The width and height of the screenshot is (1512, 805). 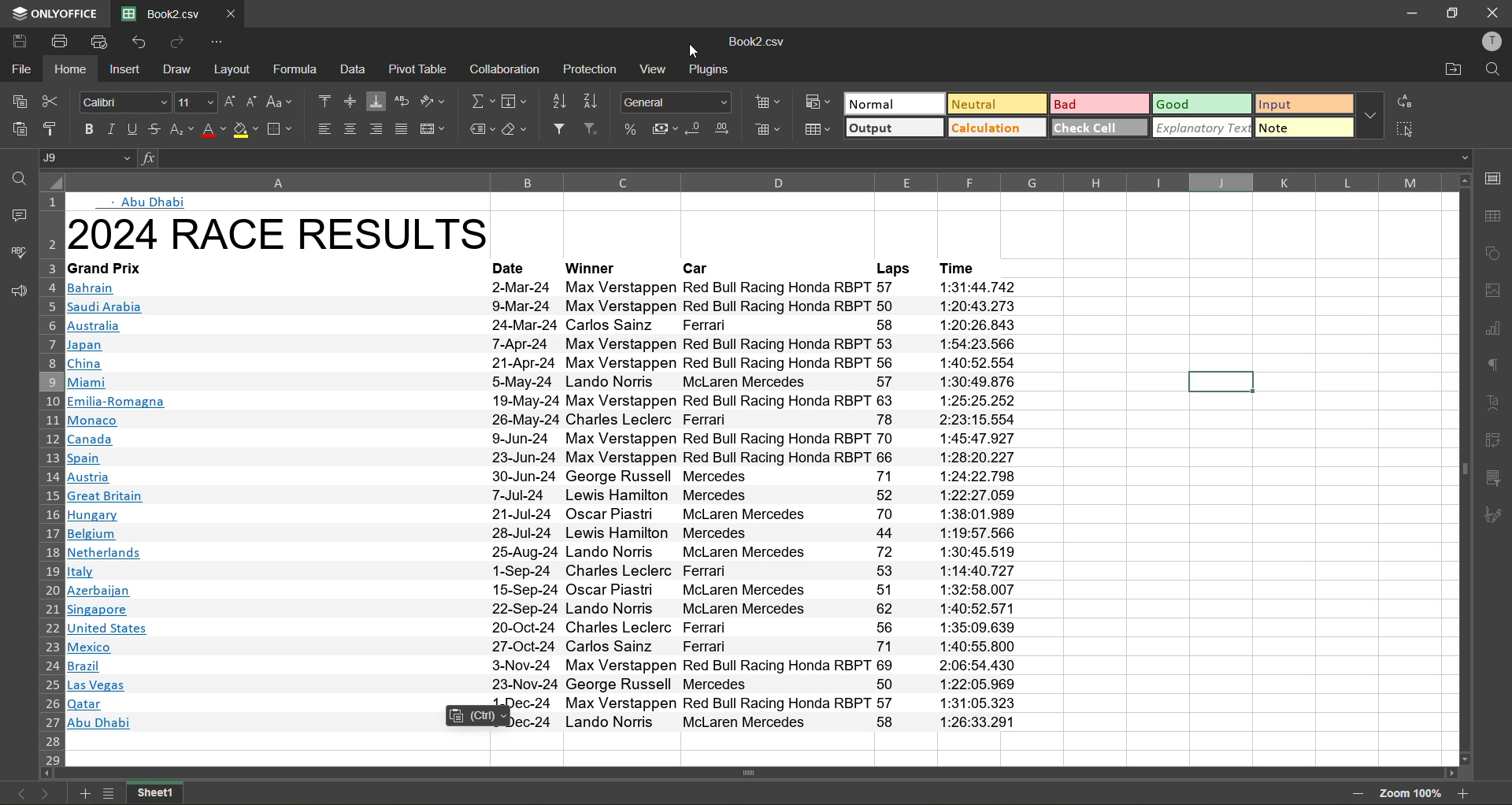 What do you see at coordinates (351, 129) in the screenshot?
I see `align center` at bounding box center [351, 129].